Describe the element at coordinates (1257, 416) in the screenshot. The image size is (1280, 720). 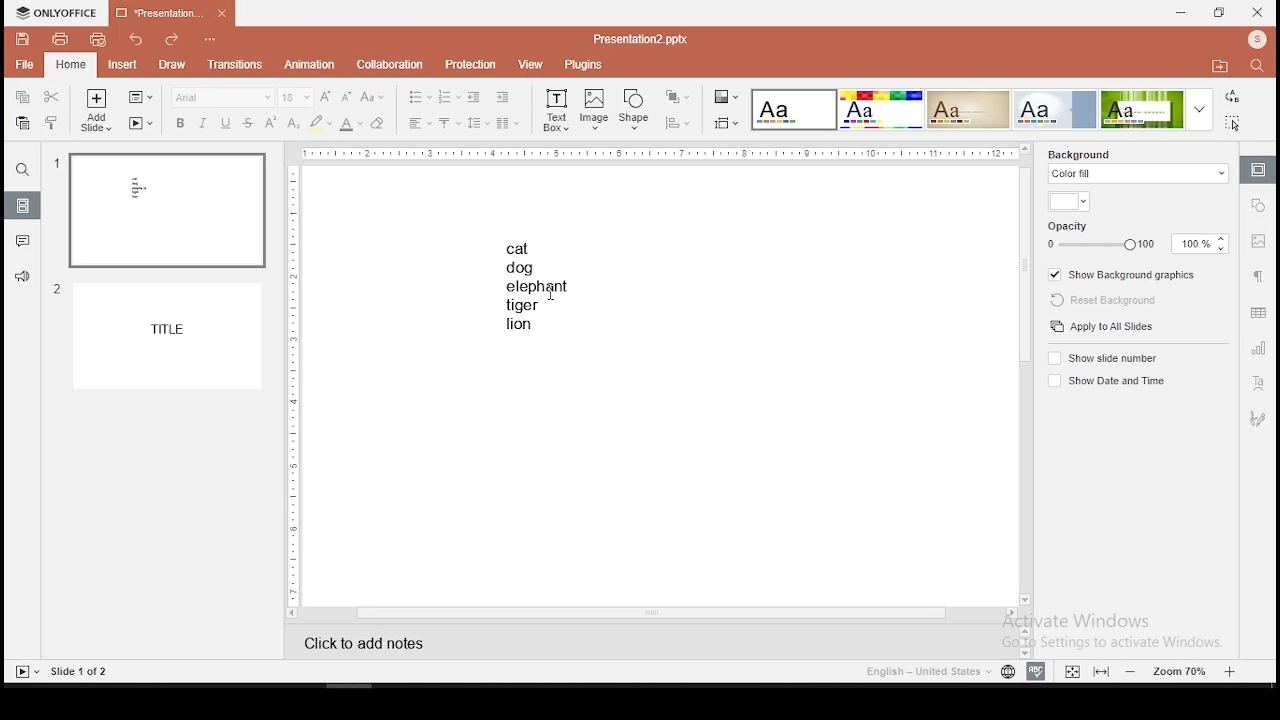
I see `` at that location.